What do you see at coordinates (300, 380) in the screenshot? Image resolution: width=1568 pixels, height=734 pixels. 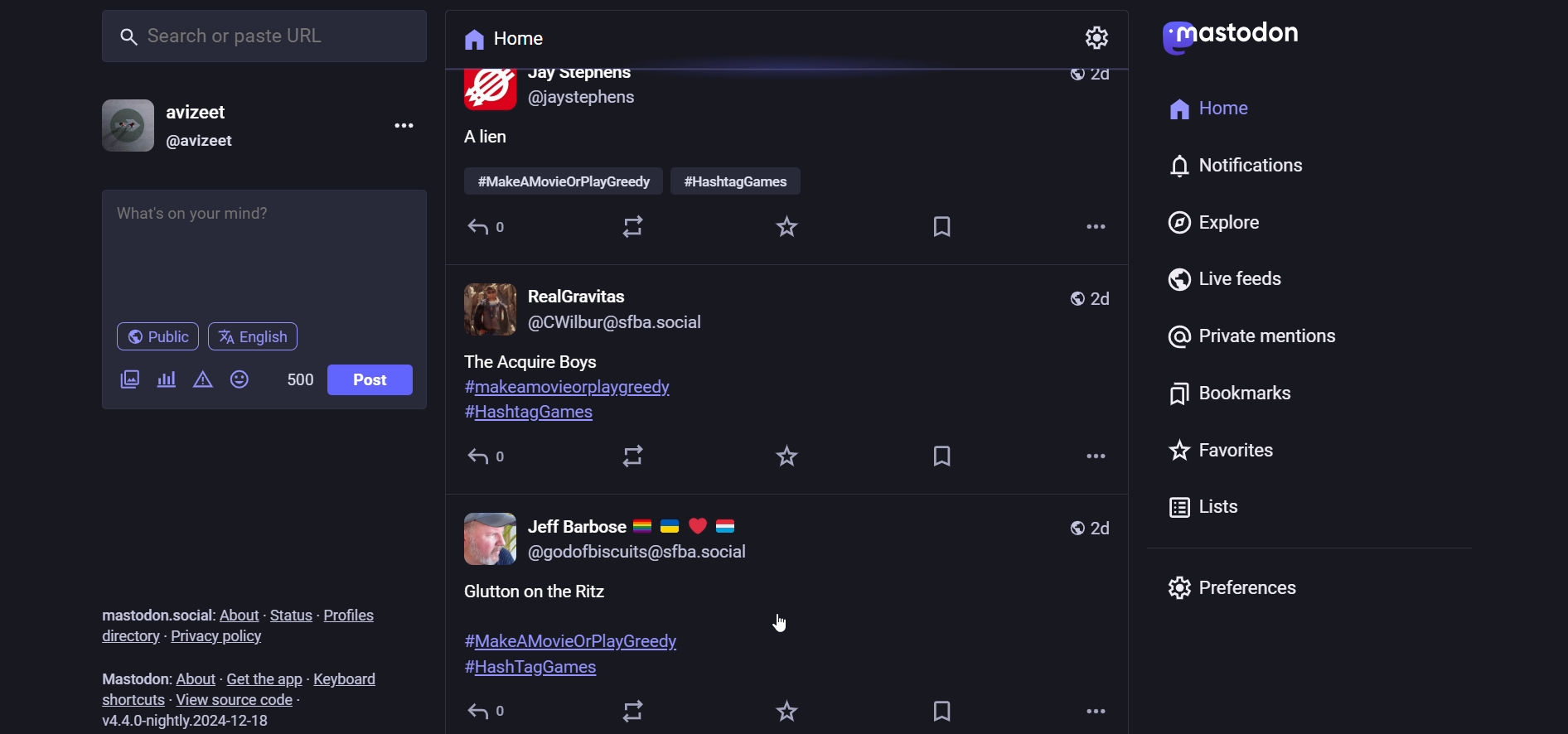 I see `word limit` at bounding box center [300, 380].